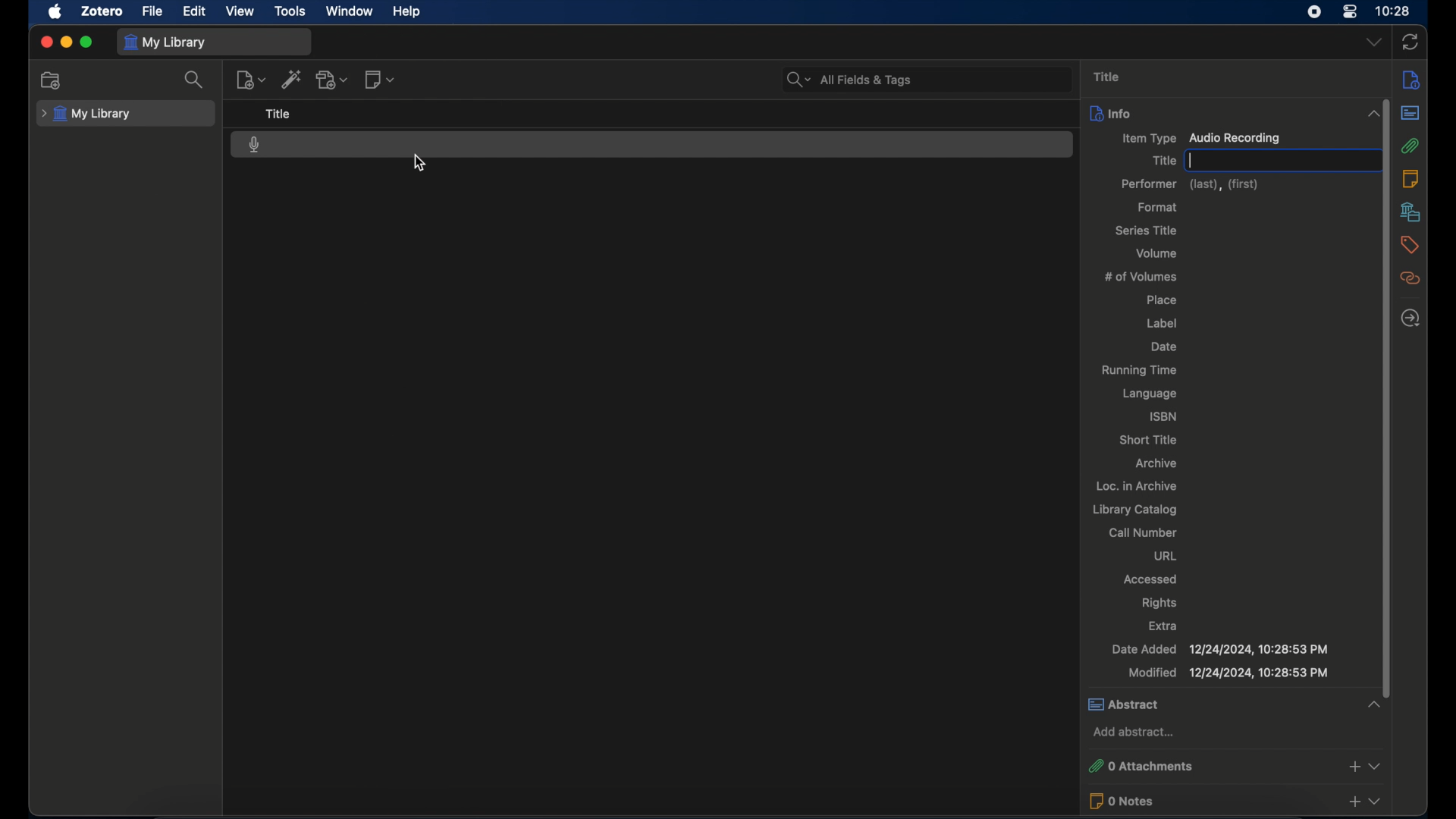 The width and height of the screenshot is (1456, 819). Describe the element at coordinates (1414, 212) in the screenshot. I see `libraries` at that location.